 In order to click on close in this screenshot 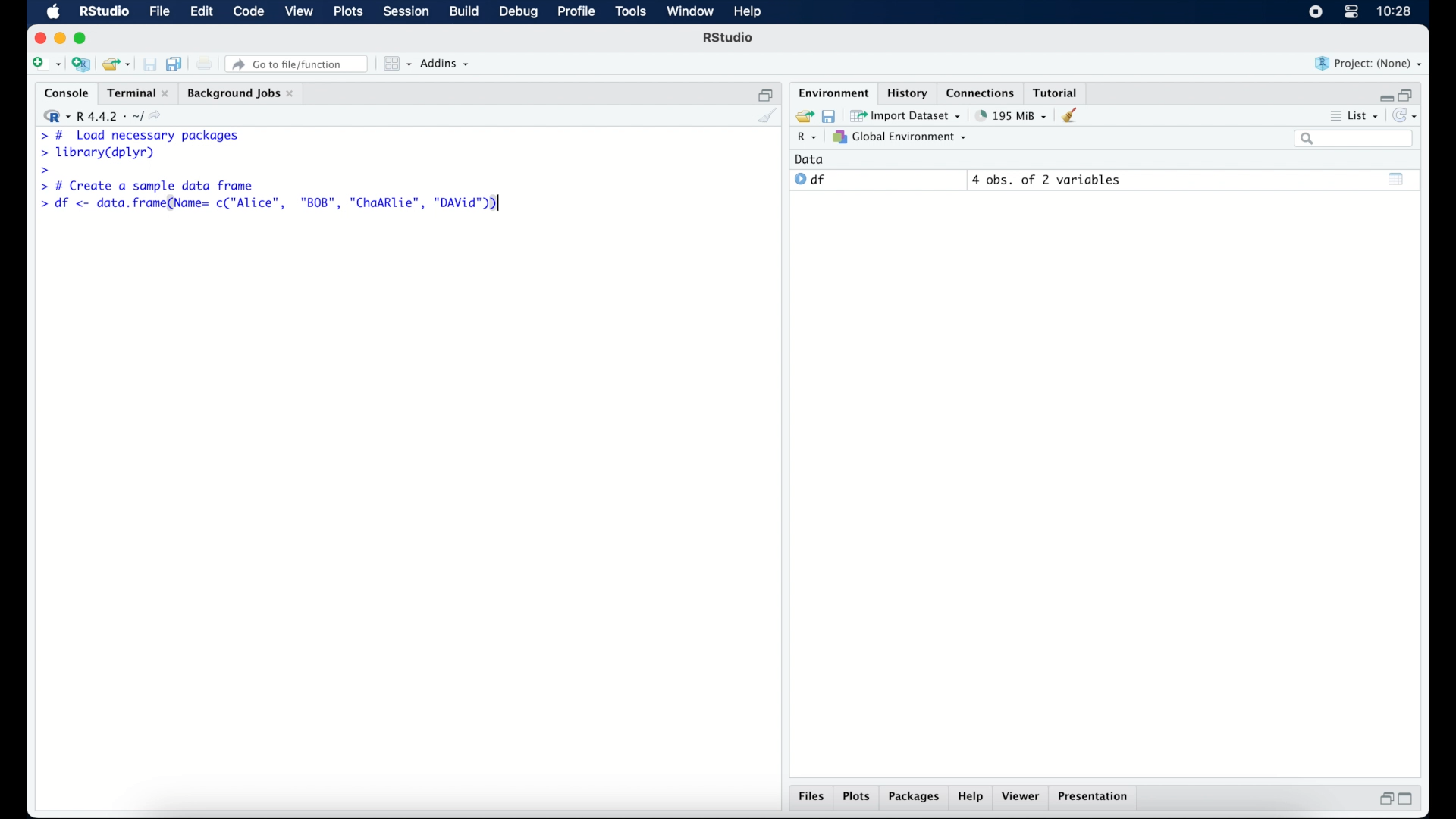, I will do `click(40, 38)`.